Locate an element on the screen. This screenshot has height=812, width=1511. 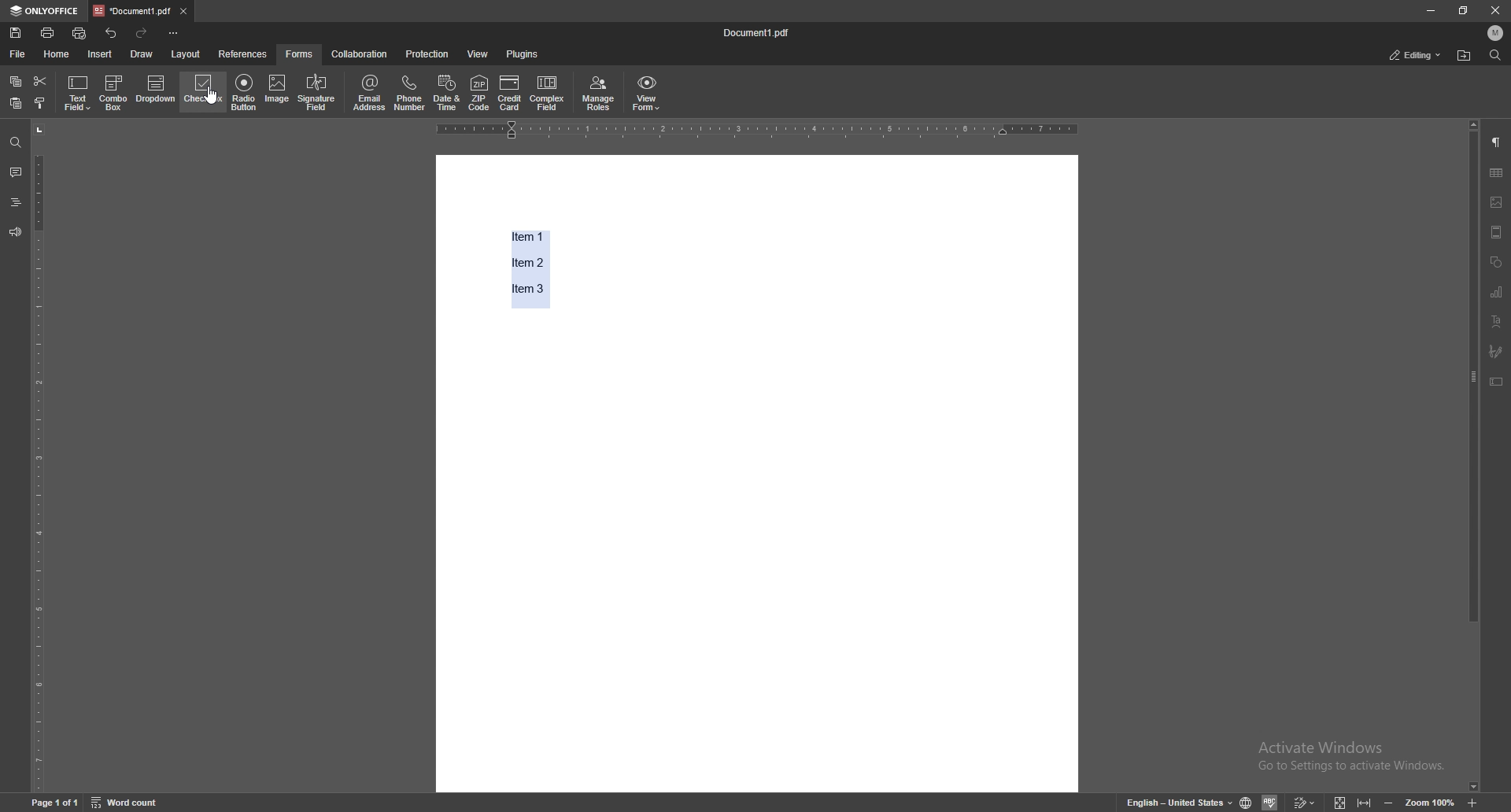
onlyoffice is located at coordinates (46, 10).